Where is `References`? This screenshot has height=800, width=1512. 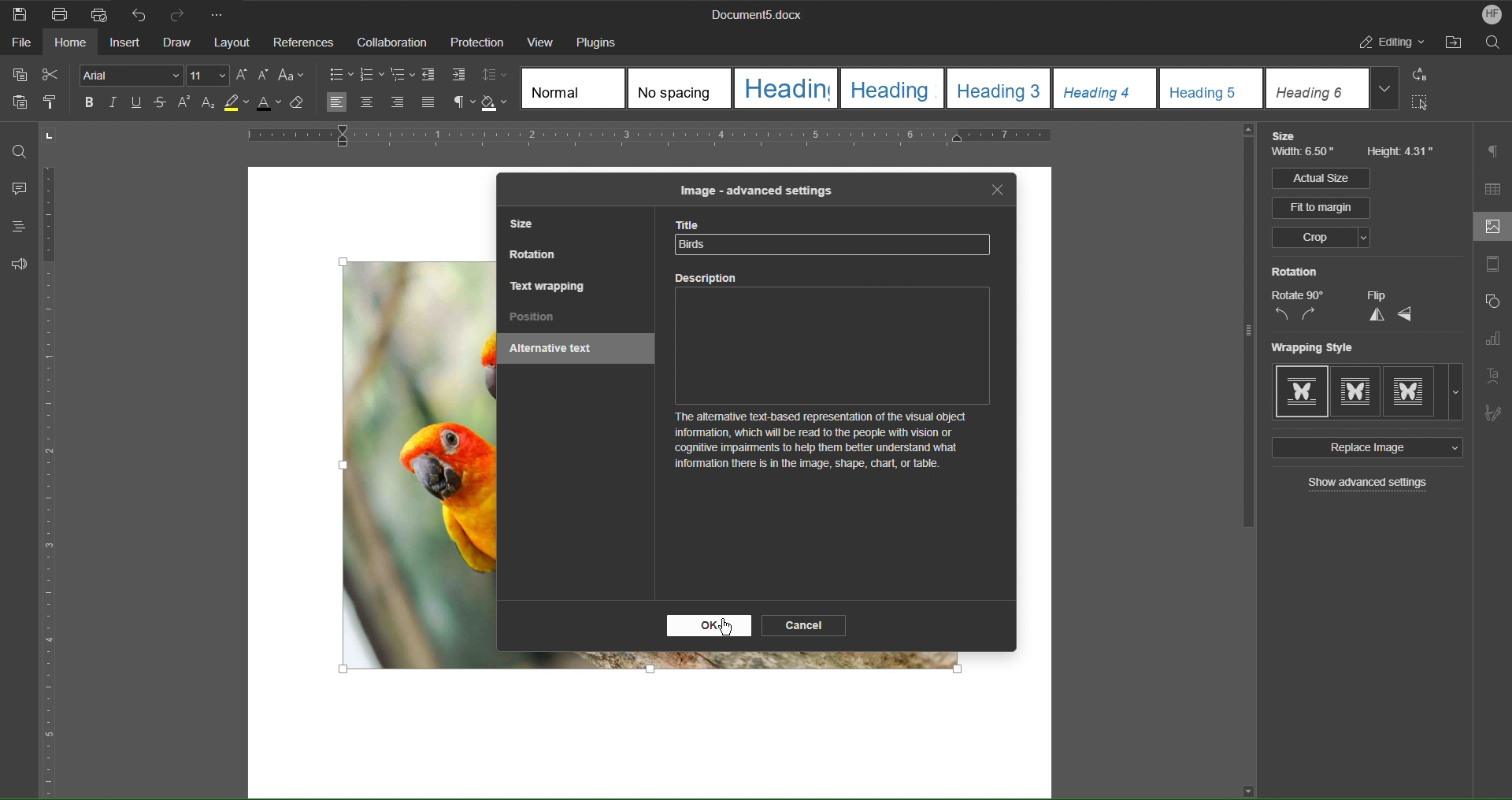 References is located at coordinates (303, 43).